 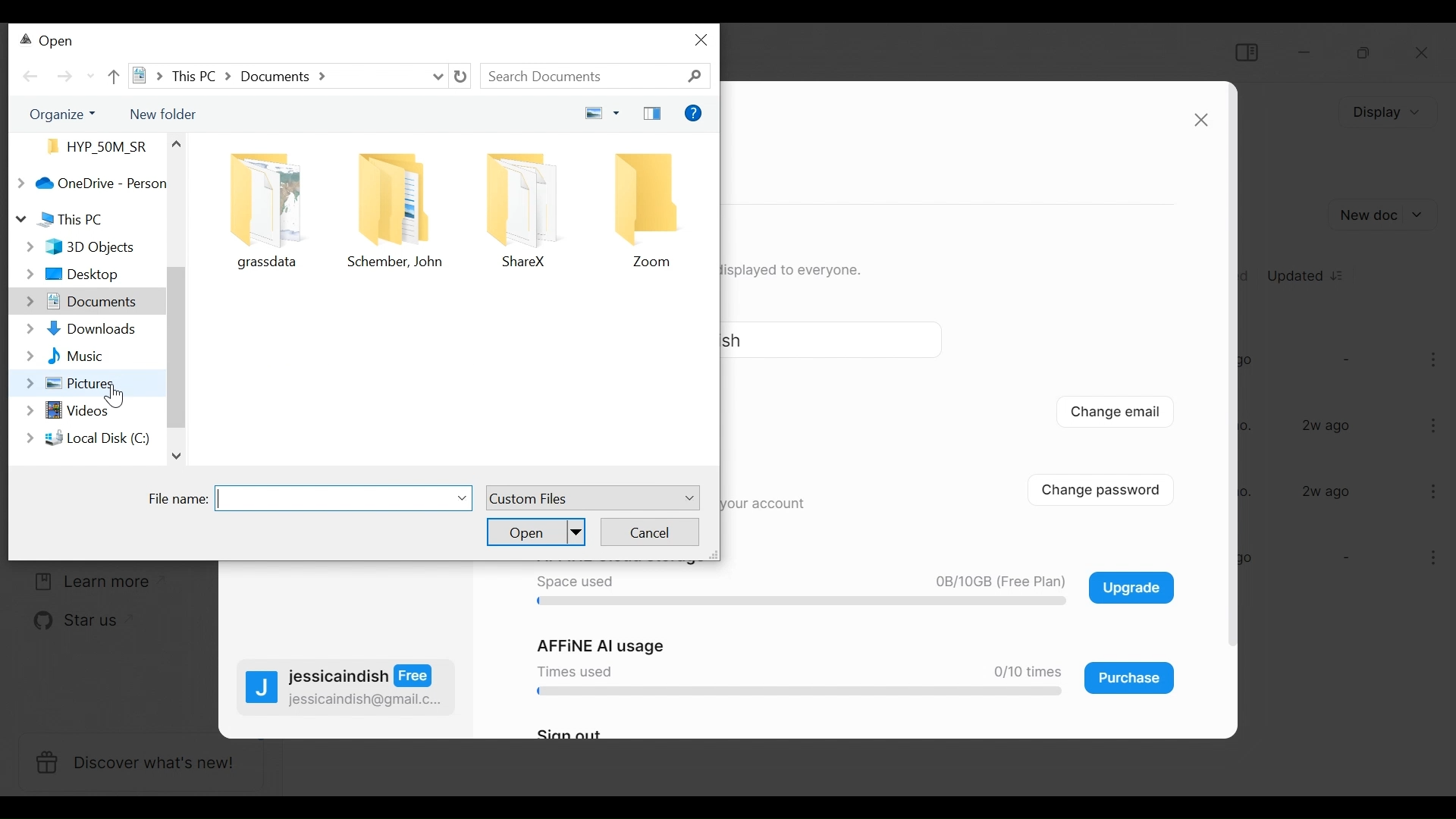 What do you see at coordinates (58, 114) in the screenshot?
I see `Organize` at bounding box center [58, 114].